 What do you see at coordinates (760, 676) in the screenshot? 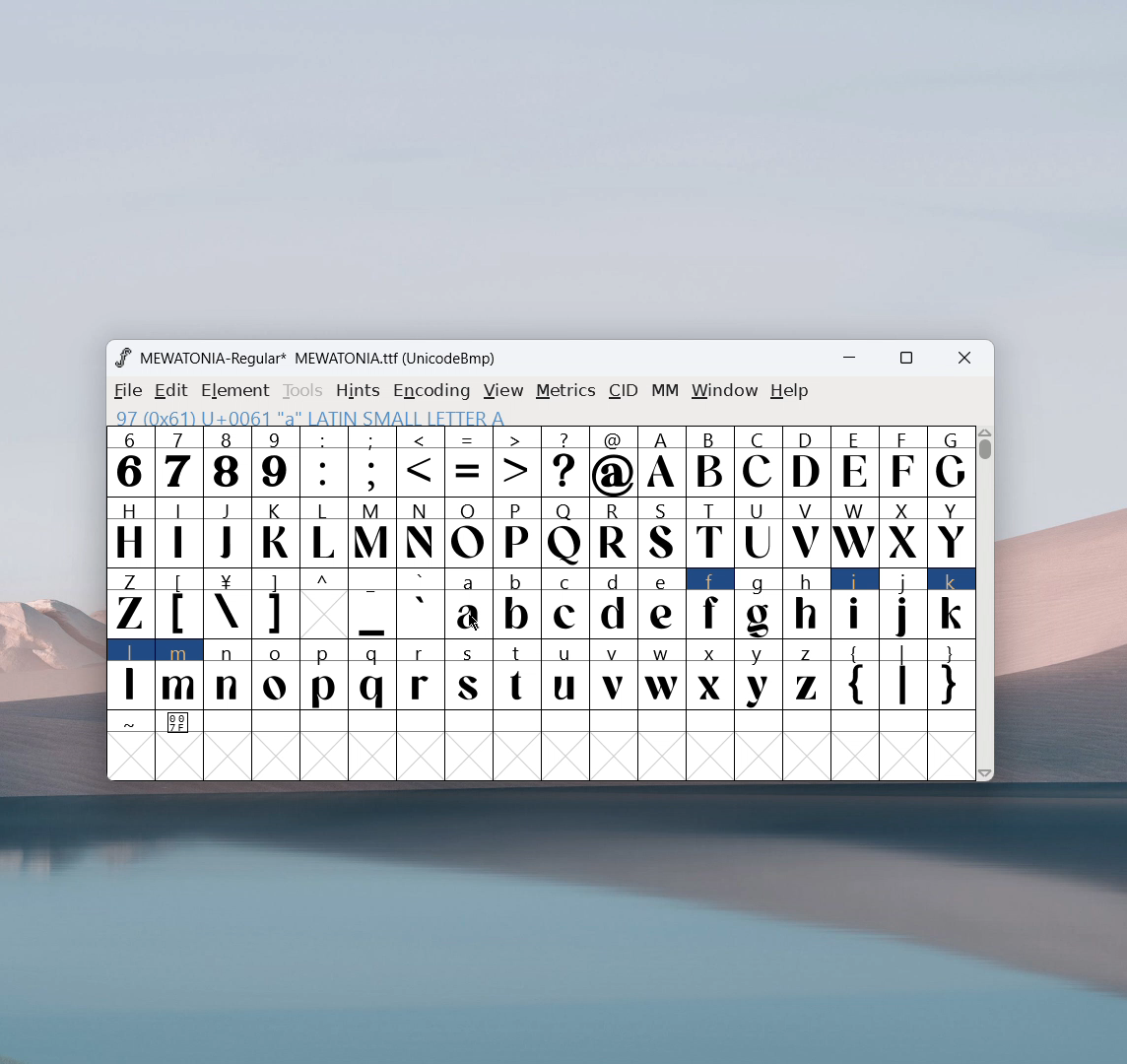
I see `y` at bounding box center [760, 676].